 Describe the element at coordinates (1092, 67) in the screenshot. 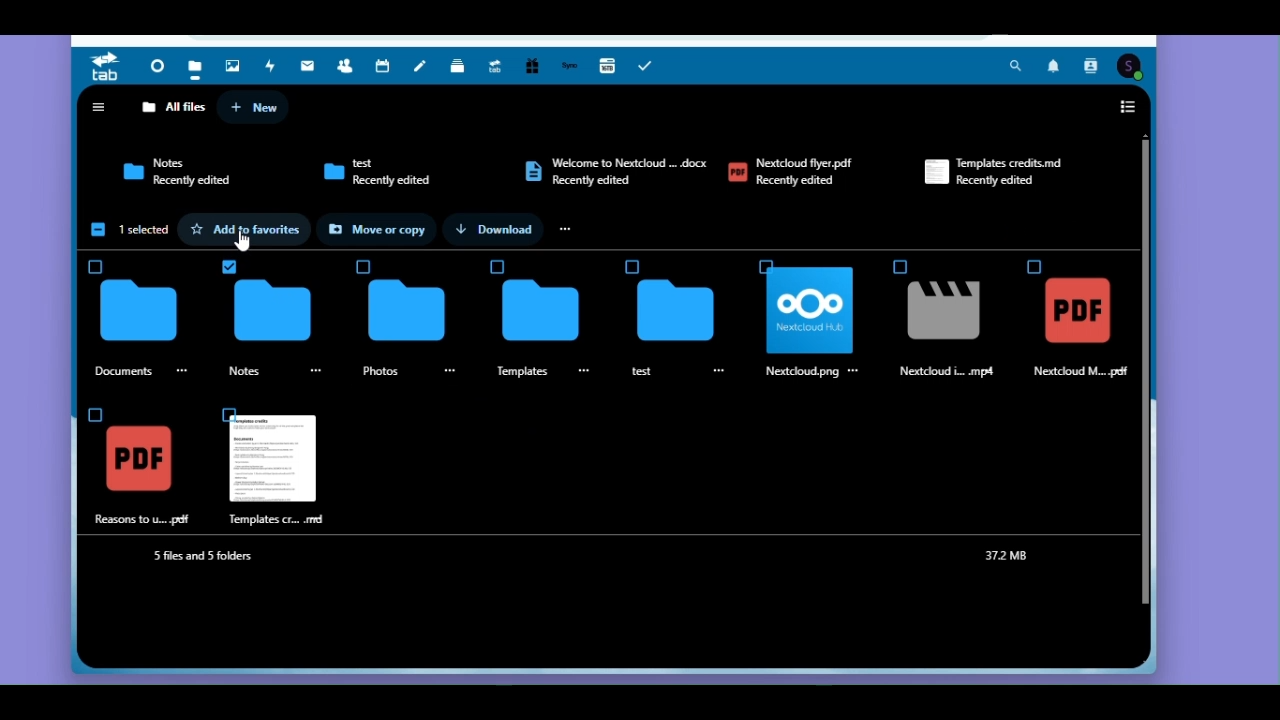

I see `Contact Search` at that location.